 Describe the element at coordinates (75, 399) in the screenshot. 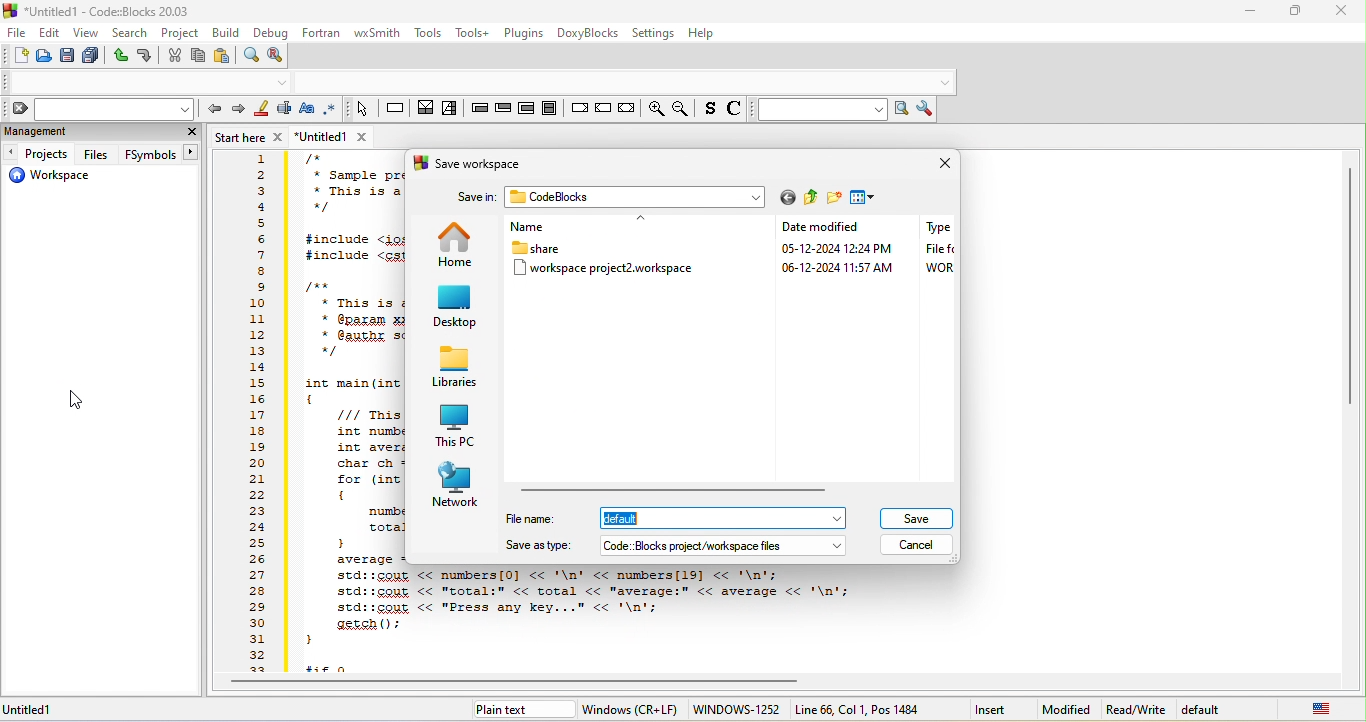

I see `cursor` at that location.